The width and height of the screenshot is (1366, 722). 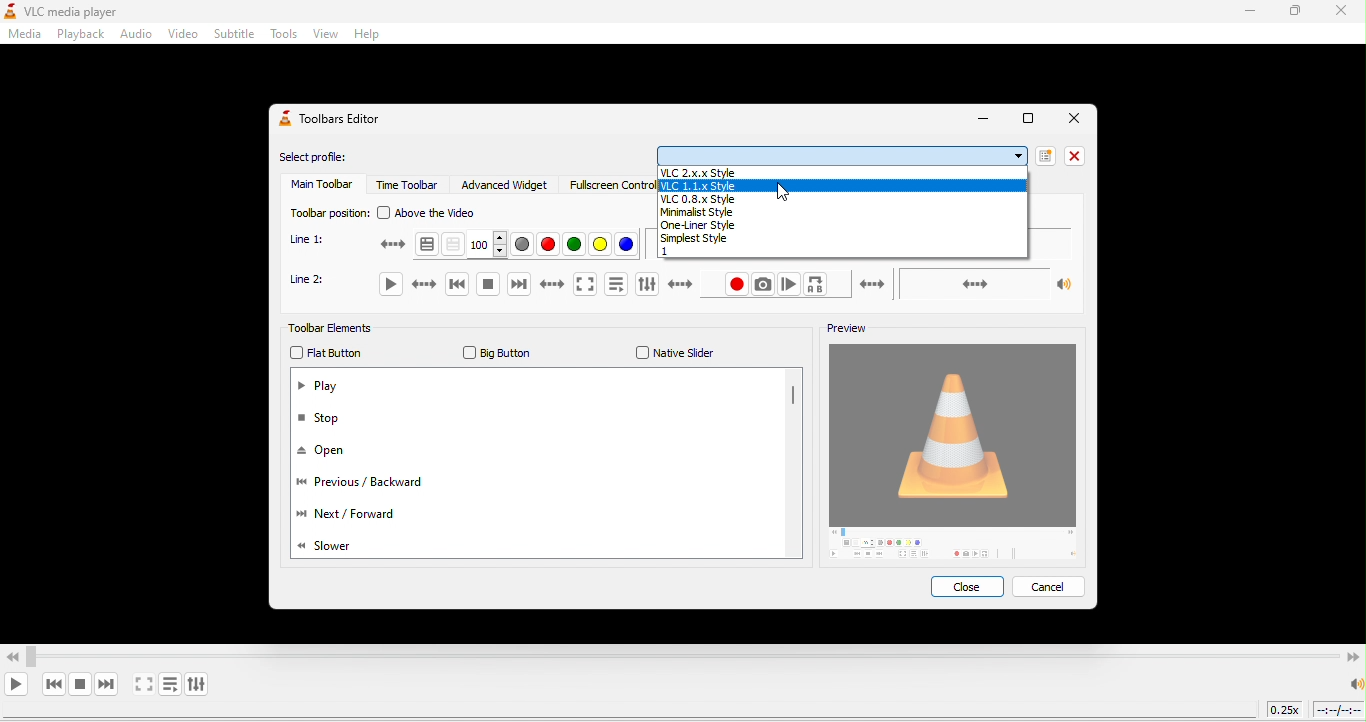 I want to click on frame by frame, so click(x=792, y=285).